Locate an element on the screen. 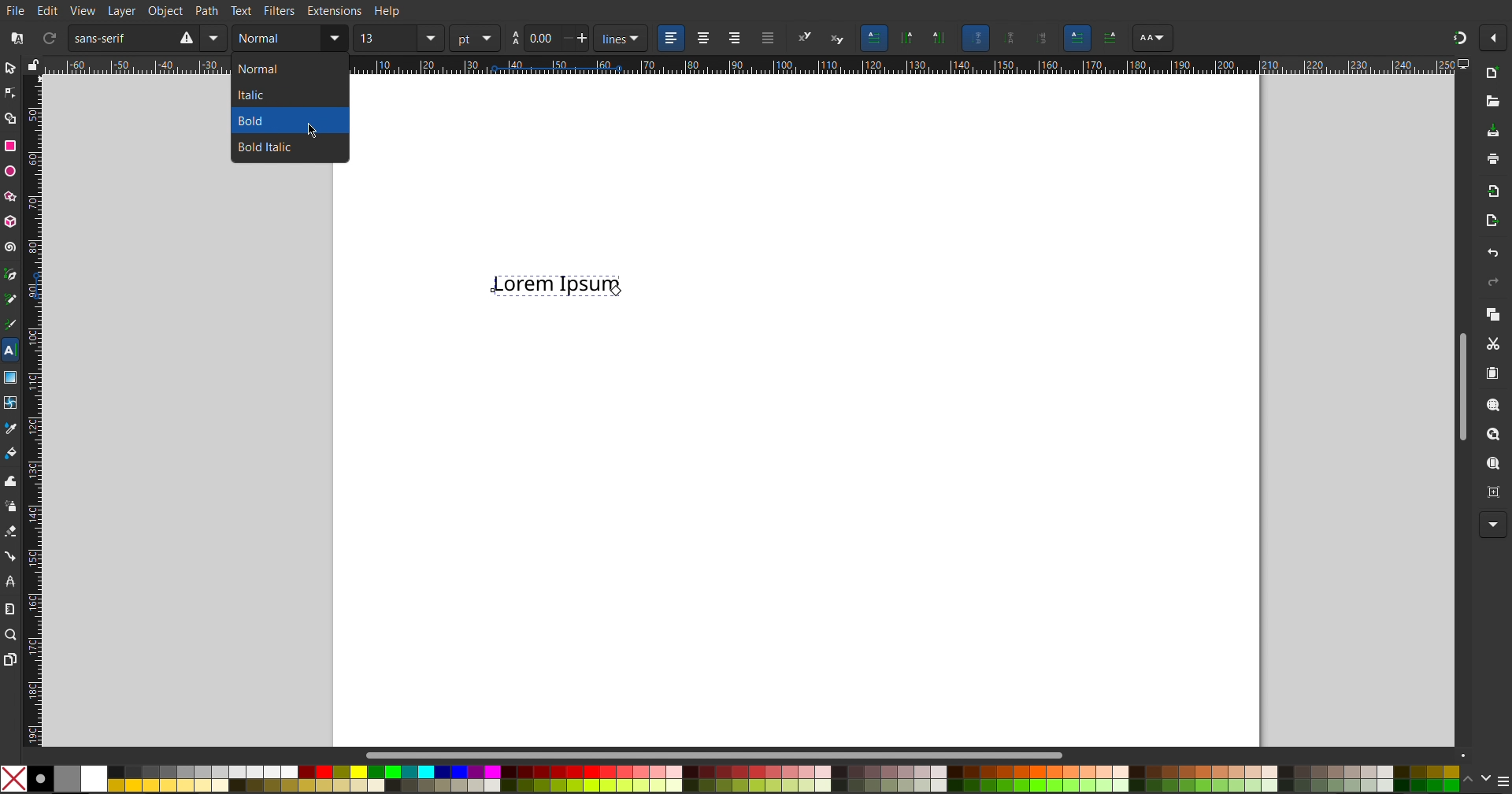  Connector Tool is located at coordinates (11, 555).